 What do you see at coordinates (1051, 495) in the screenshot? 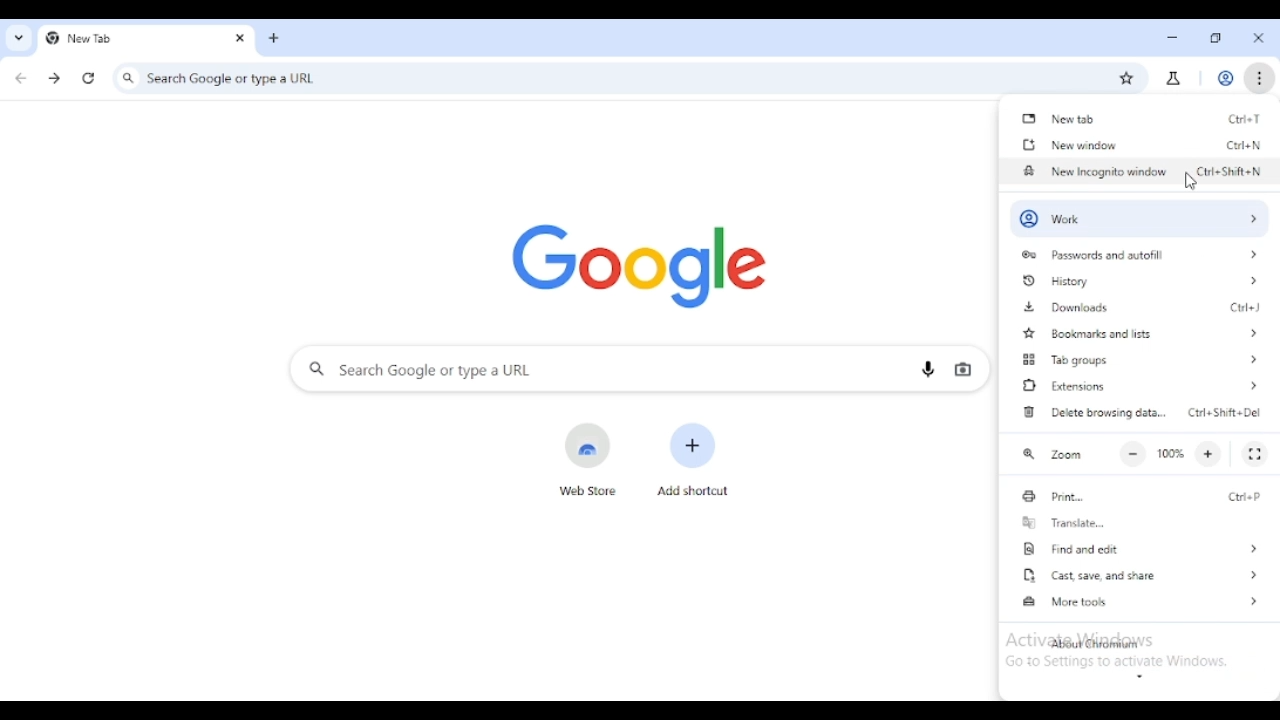
I see `print` at bounding box center [1051, 495].